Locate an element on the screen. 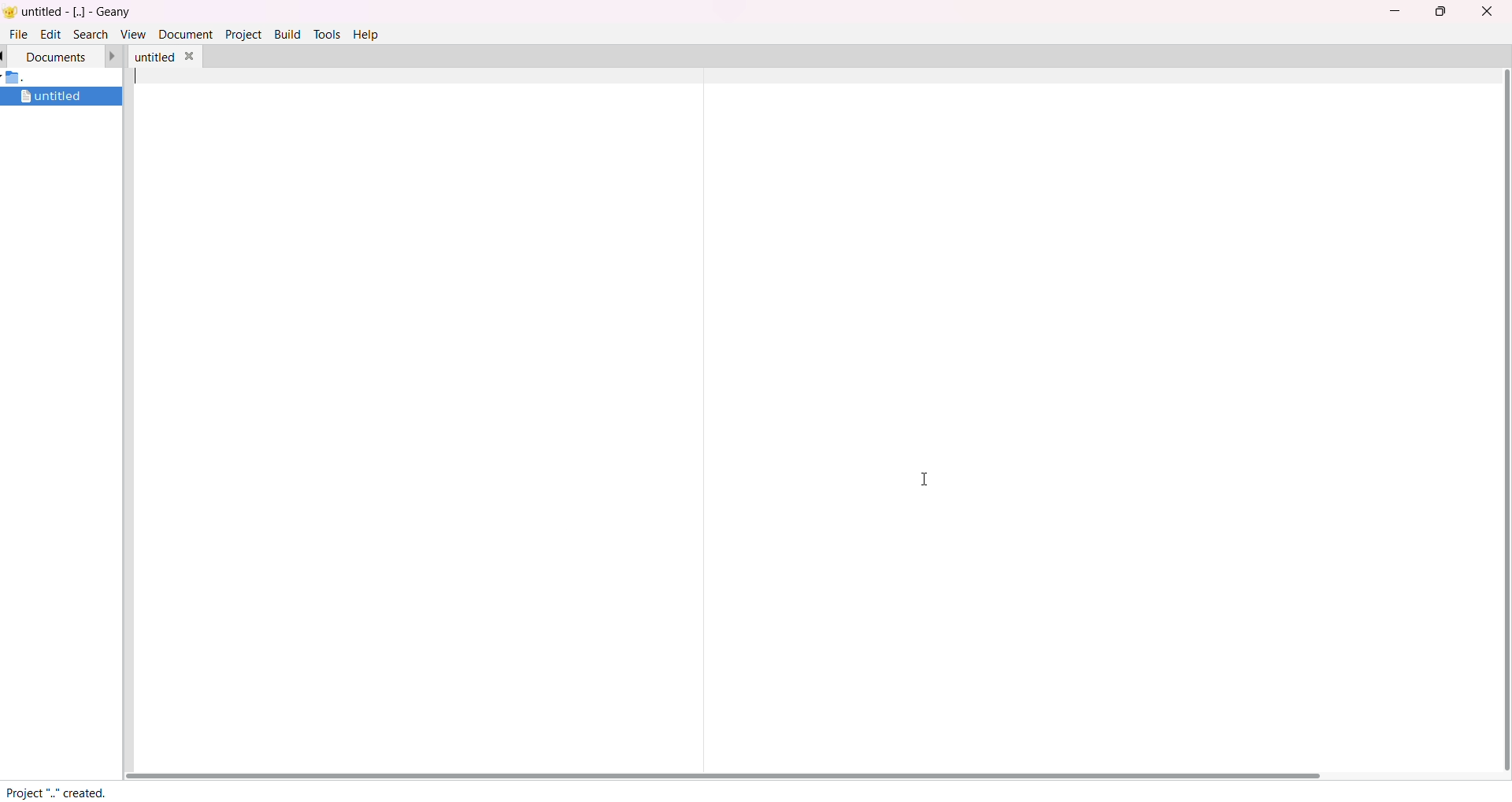 The image size is (1512, 802). help is located at coordinates (367, 35).